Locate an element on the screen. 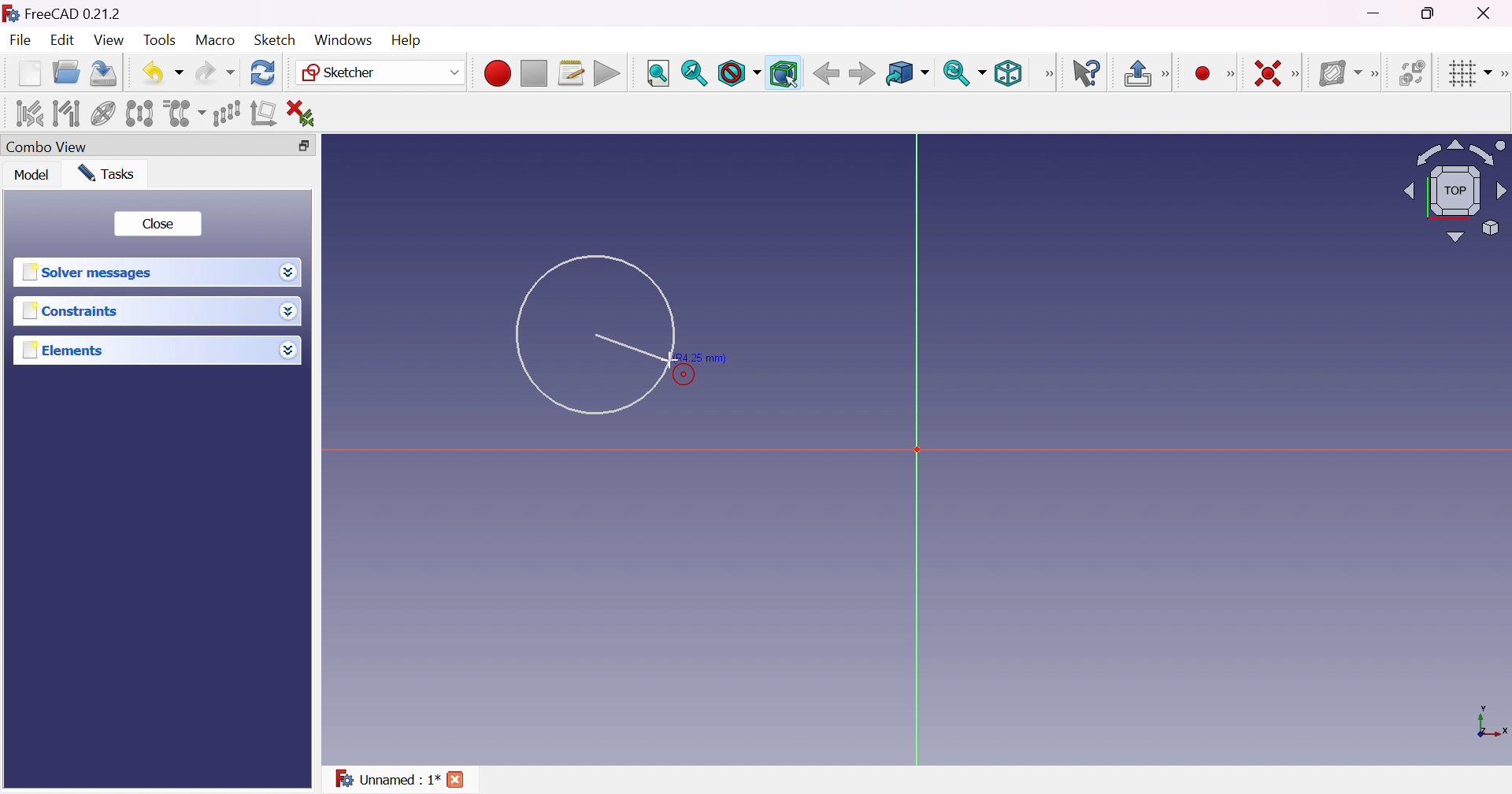 This screenshot has height=794, width=1512. Stop macro recording is located at coordinates (532, 74).